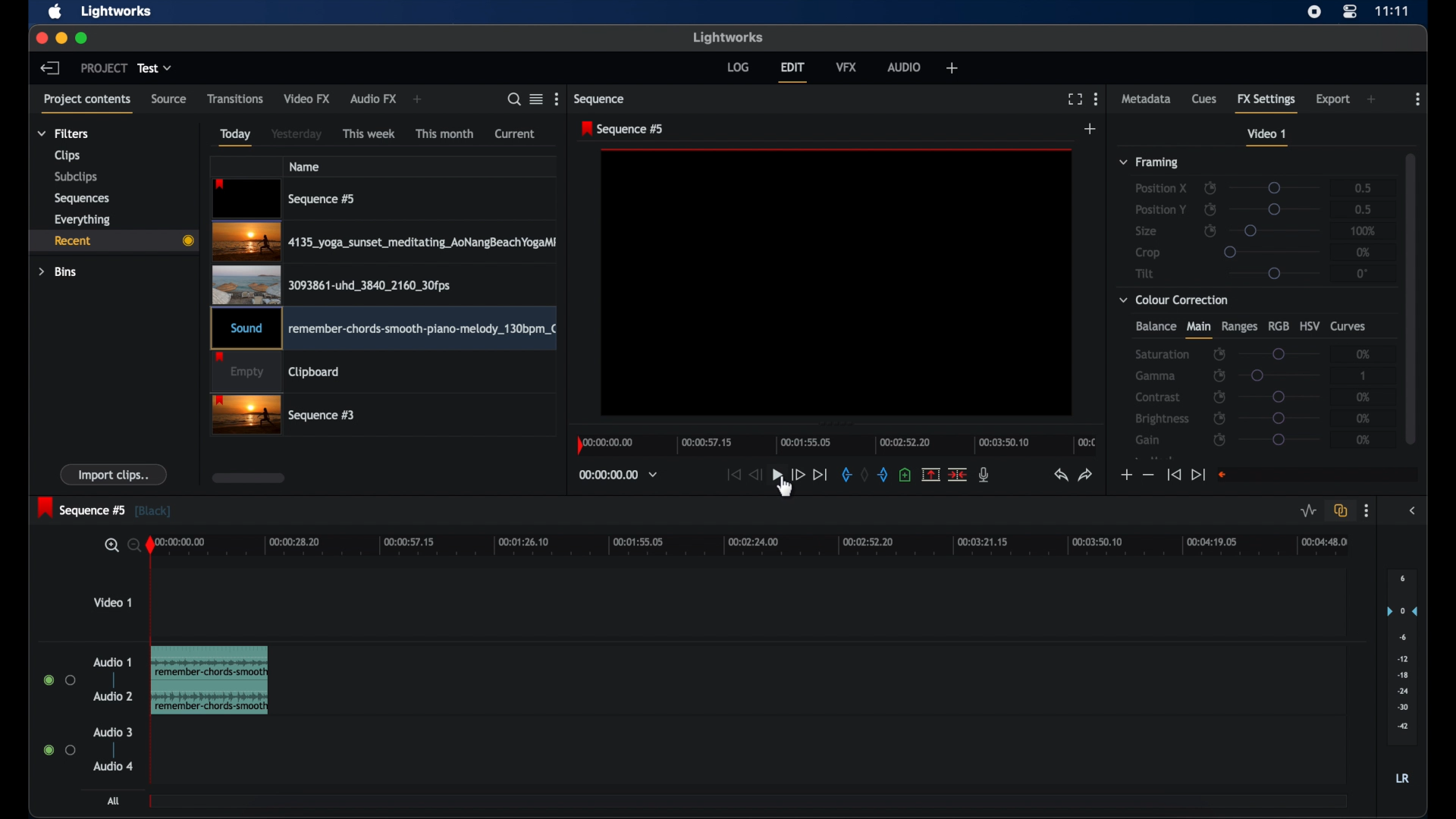  Describe the element at coordinates (843, 475) in the screenshot. I see `in mark` at that location.